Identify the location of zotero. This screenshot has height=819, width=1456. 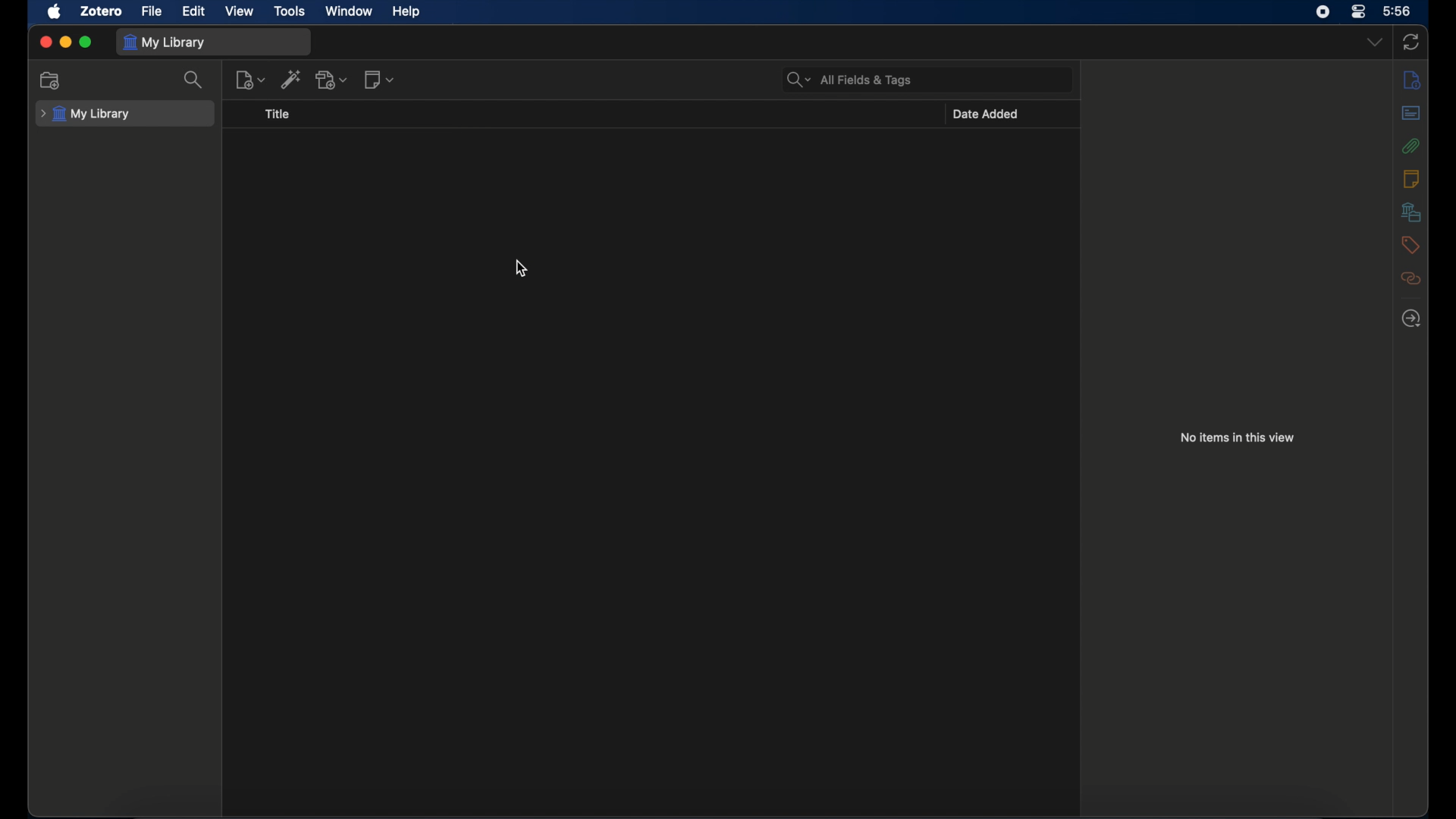
(102, 11).